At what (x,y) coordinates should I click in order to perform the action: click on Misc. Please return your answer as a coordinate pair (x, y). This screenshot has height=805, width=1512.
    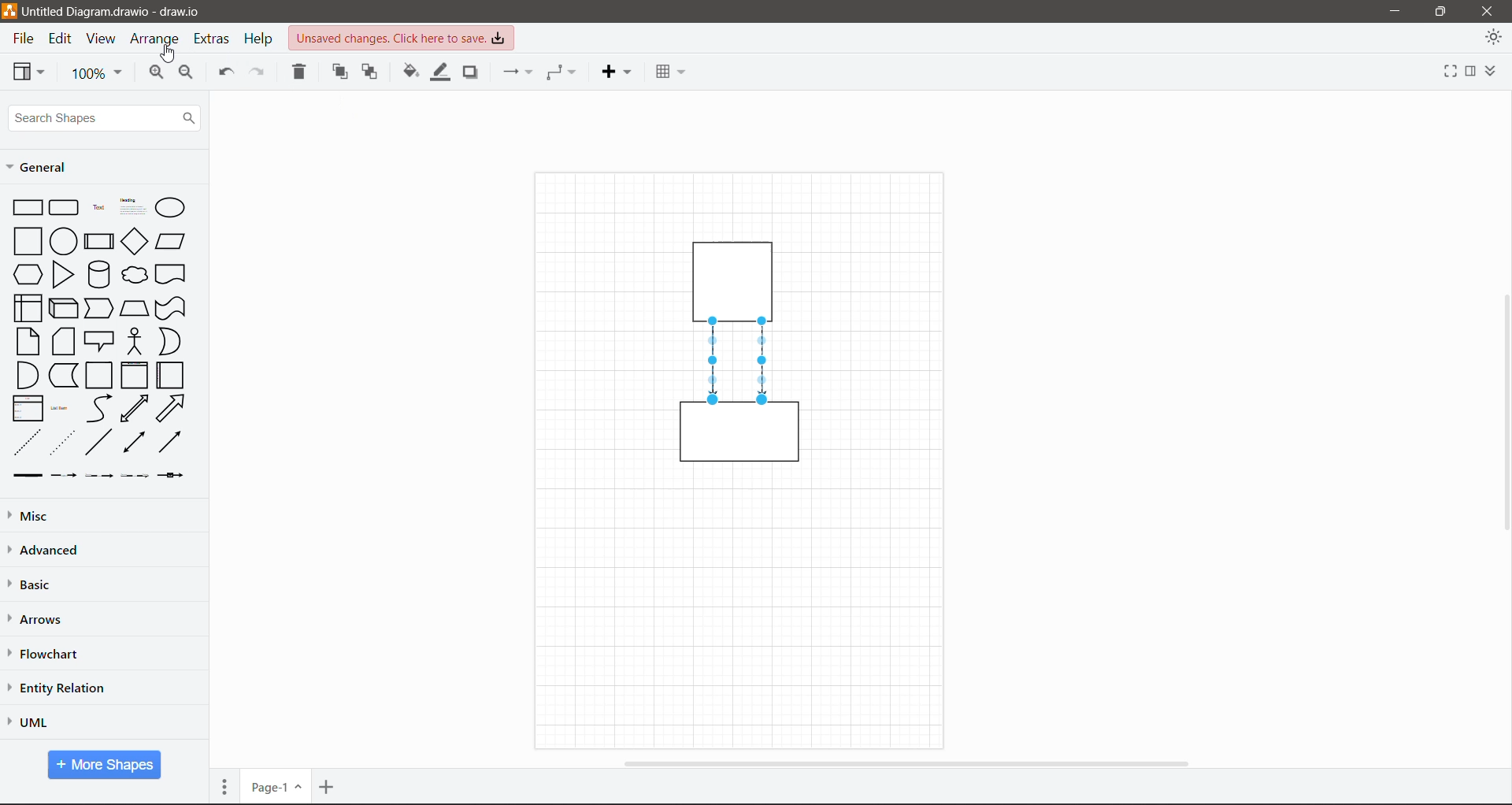
    Looking at the image, I should click on (64, 515).